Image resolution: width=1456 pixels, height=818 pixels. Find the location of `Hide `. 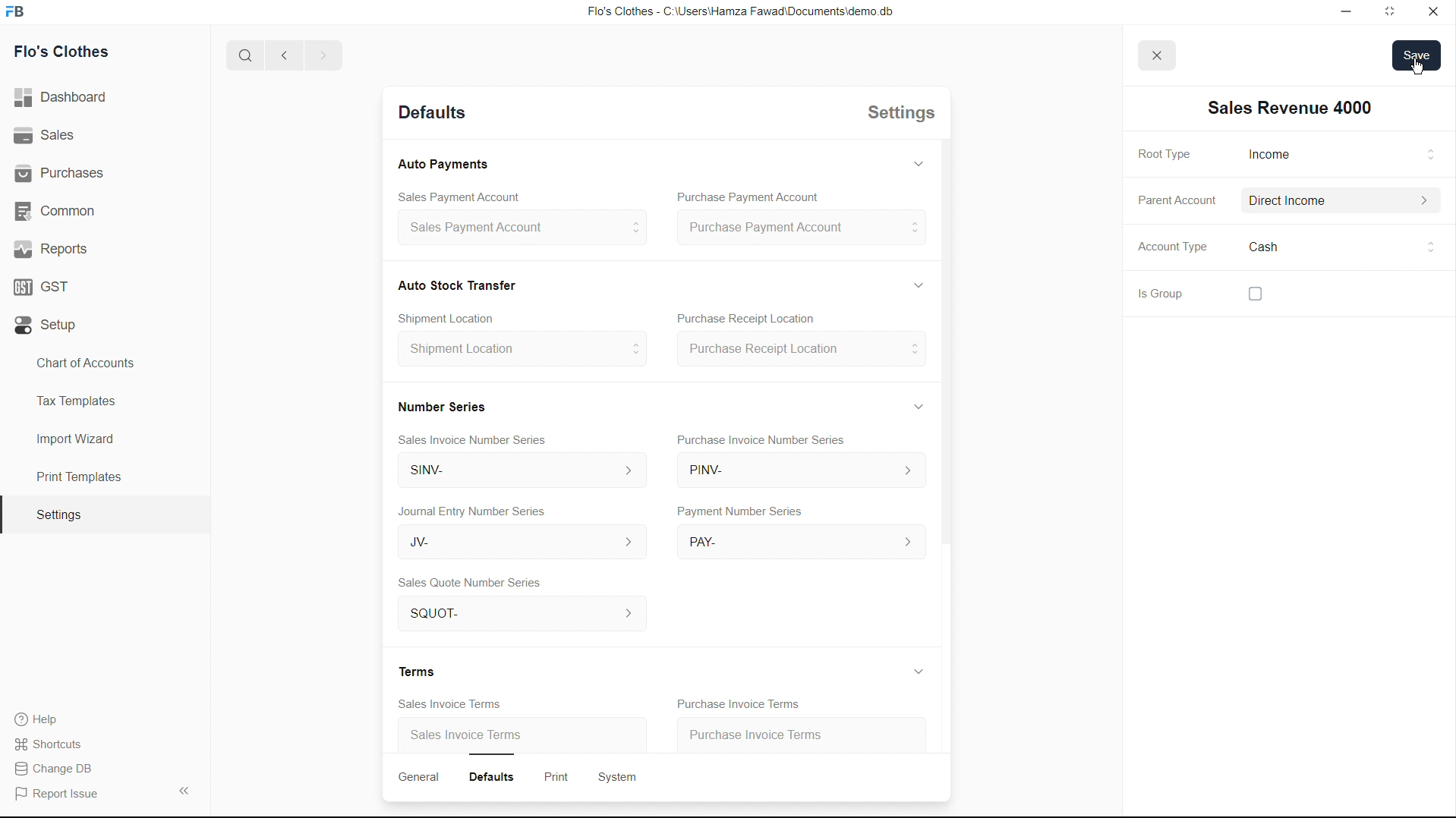

Hide  is located at coordinates (916, 671).